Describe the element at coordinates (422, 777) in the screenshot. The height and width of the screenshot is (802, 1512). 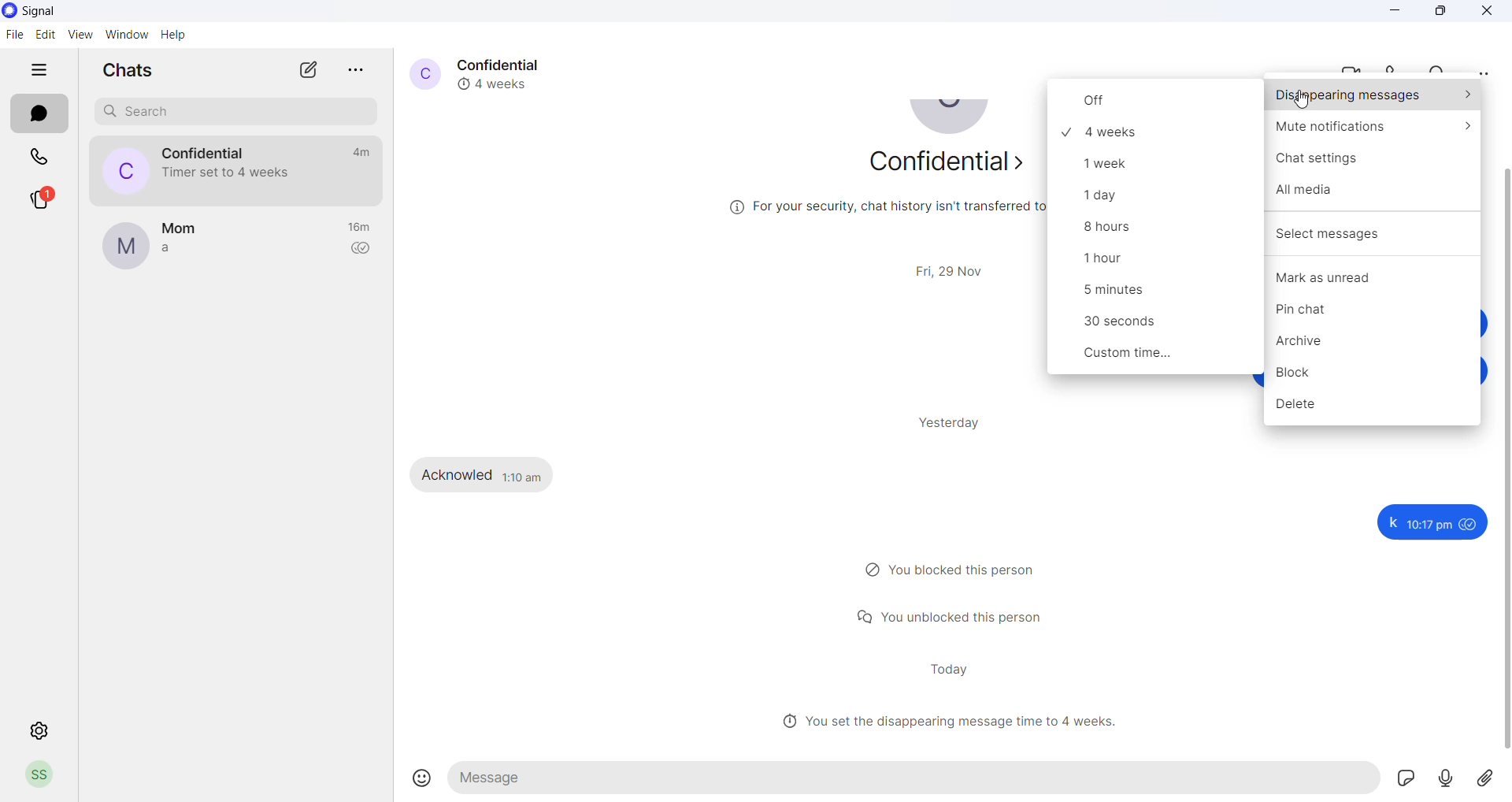
I see `emojis` at that location.